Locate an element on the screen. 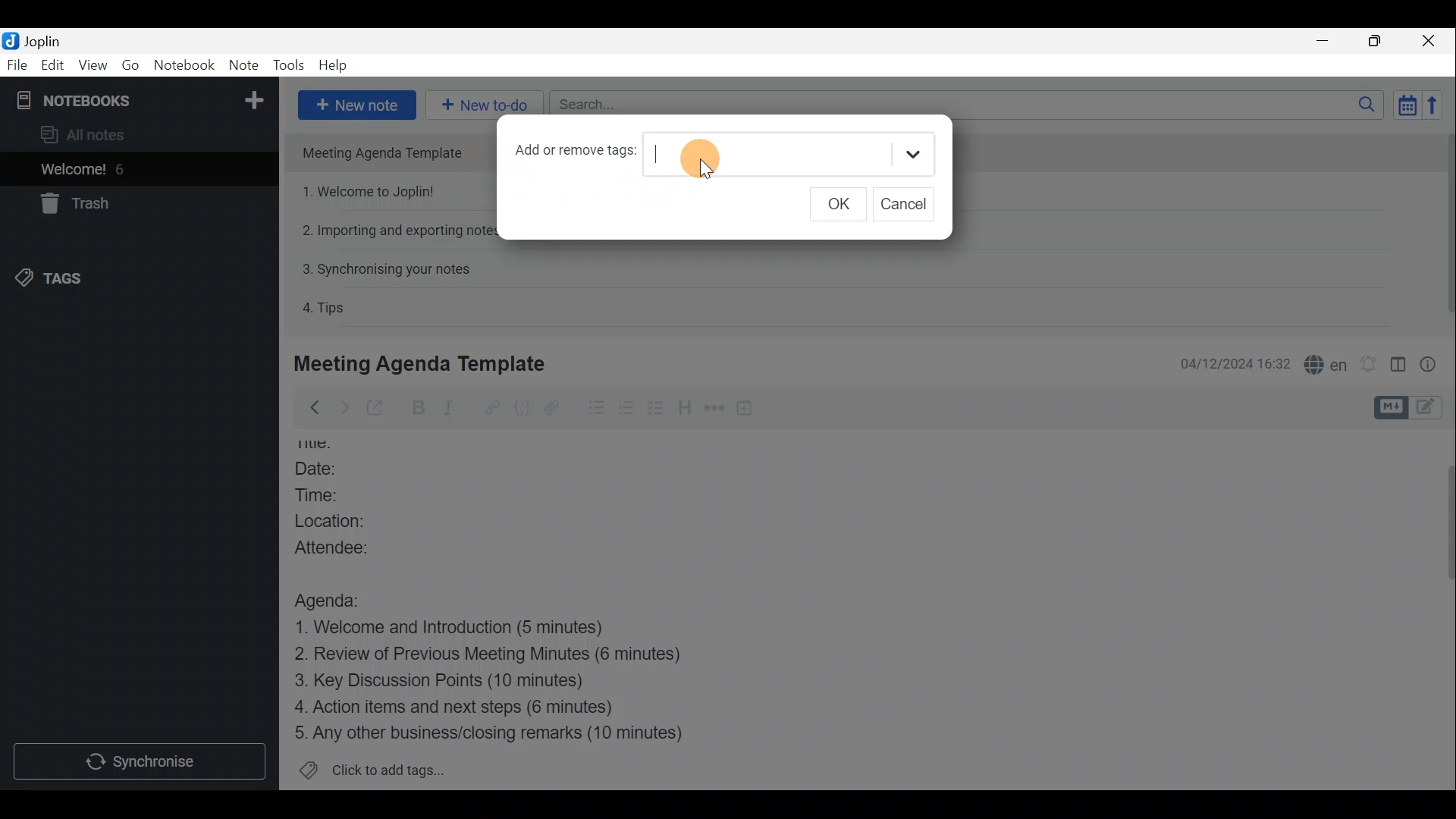 Image resolution: width=1456 pixels, height=819 pixels. Spell checker is located at coordinates (1327, 362).